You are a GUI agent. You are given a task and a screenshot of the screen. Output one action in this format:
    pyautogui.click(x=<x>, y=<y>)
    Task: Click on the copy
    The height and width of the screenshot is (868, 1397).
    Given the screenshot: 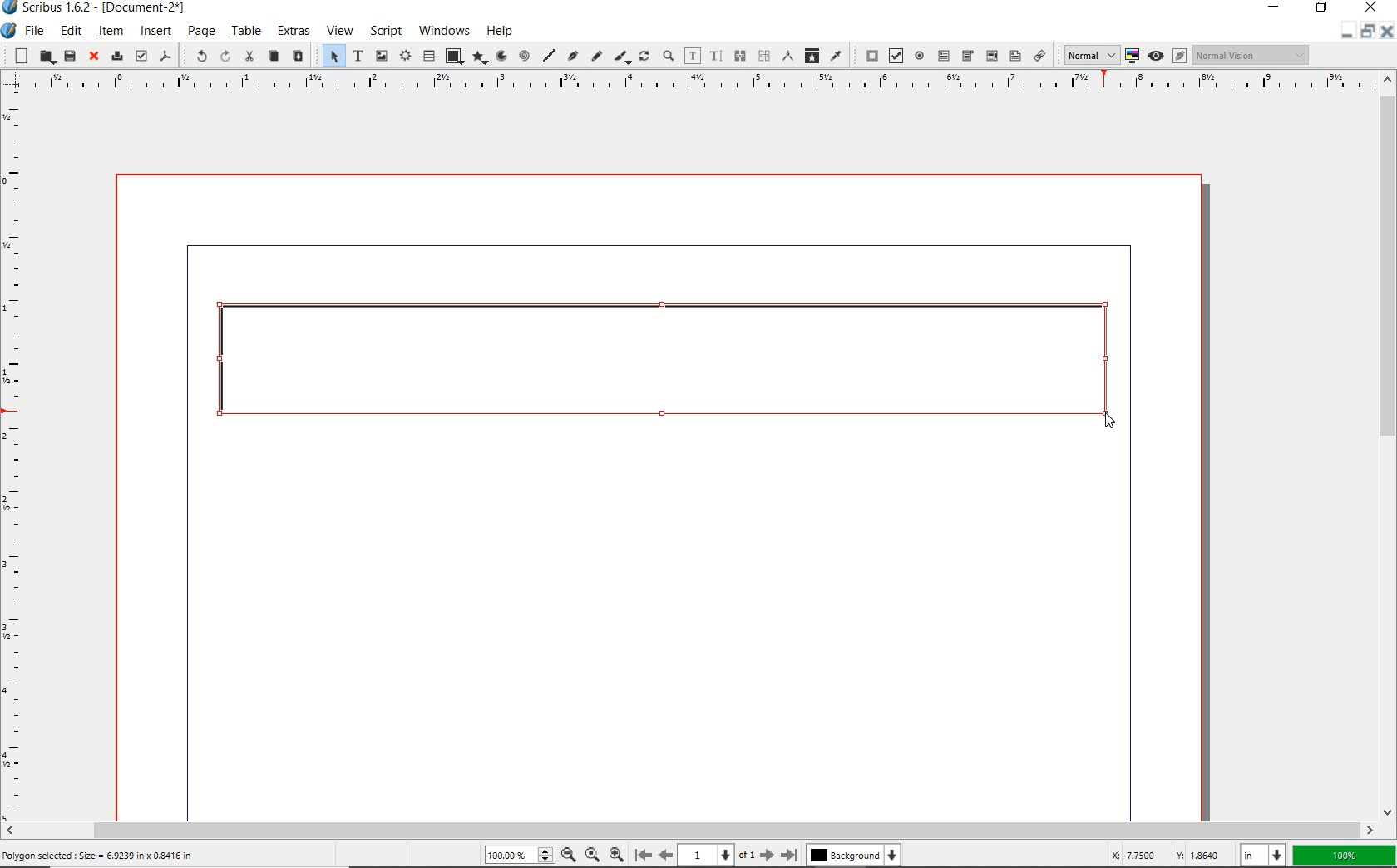 What is the action you would take?
    pyautogui.click(x=273, y=57)
    